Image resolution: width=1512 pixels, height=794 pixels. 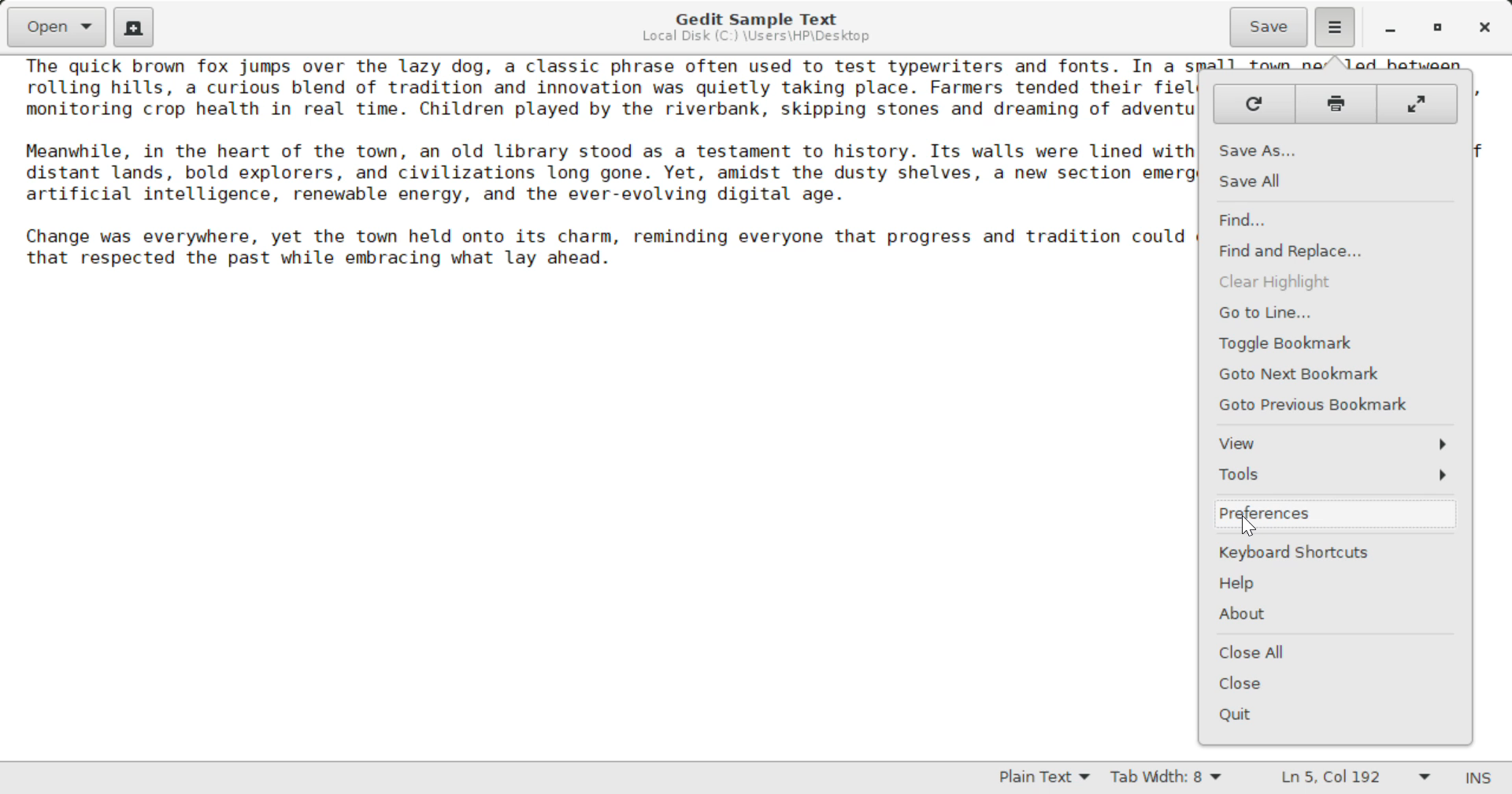 What do you see at coordinates (1338, 106) in the screenshot?
I see `Print` at bounding box center [1338, 106].